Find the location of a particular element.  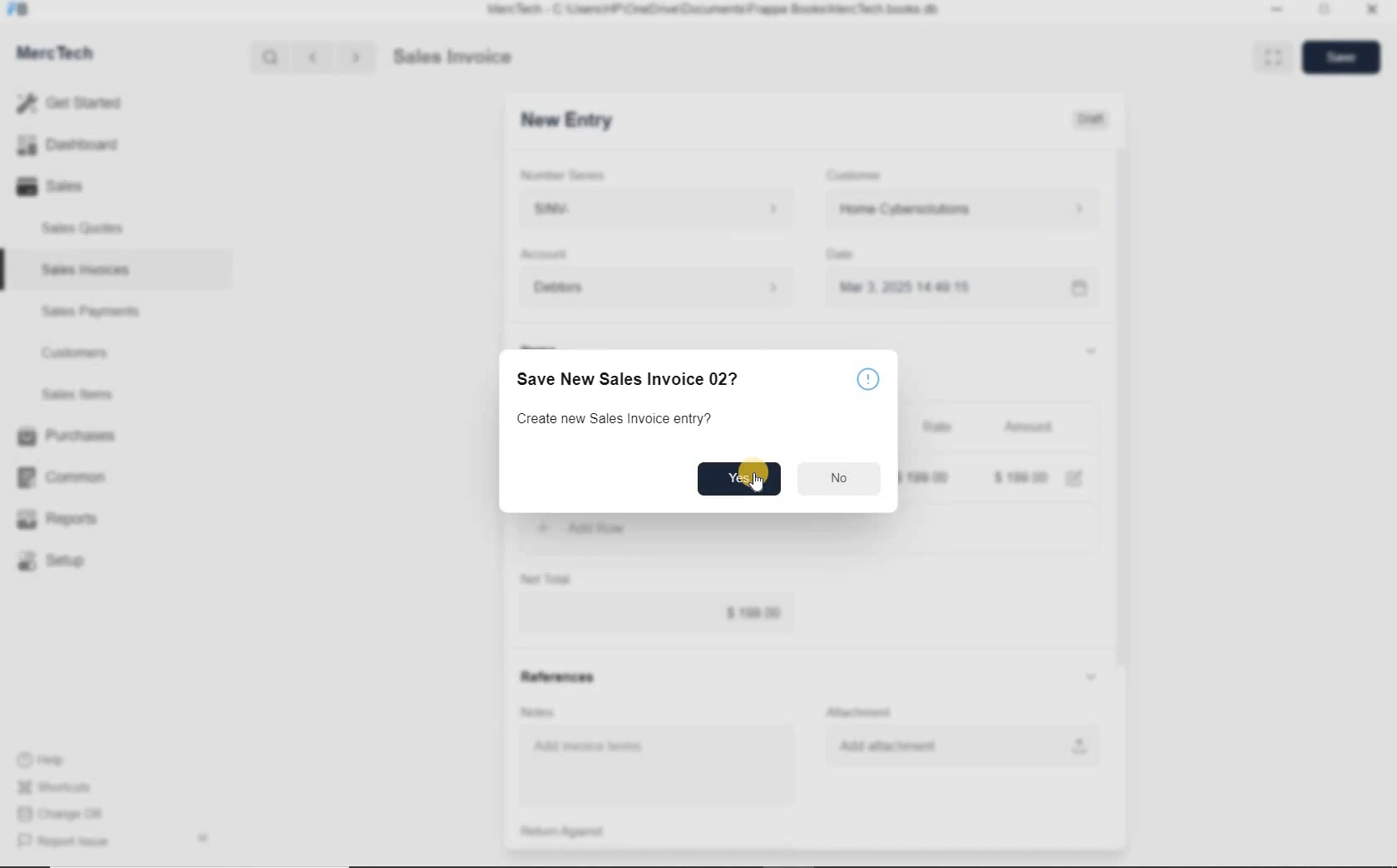

Common is located at coordinates (69, 476).